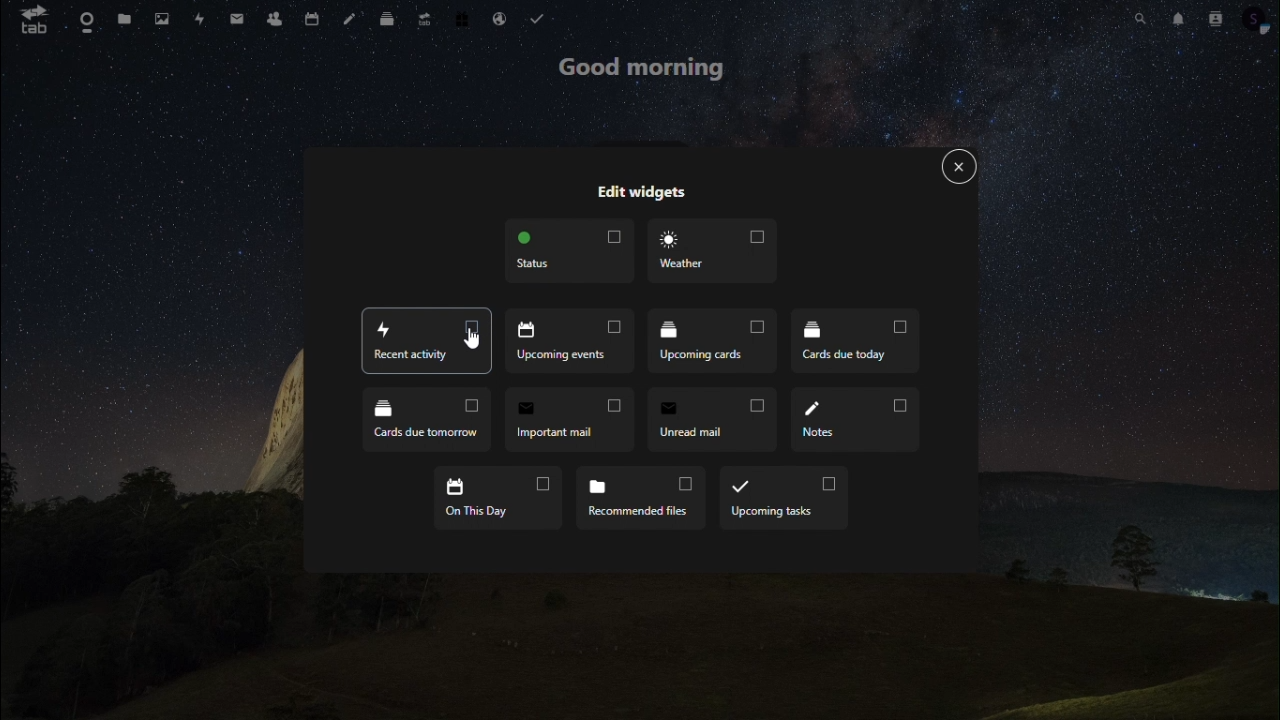 The width and height of the screenshot is (1280, 720). Describe the element at coordinates (954, 168) in the screenshot. I see `exit` at that location.